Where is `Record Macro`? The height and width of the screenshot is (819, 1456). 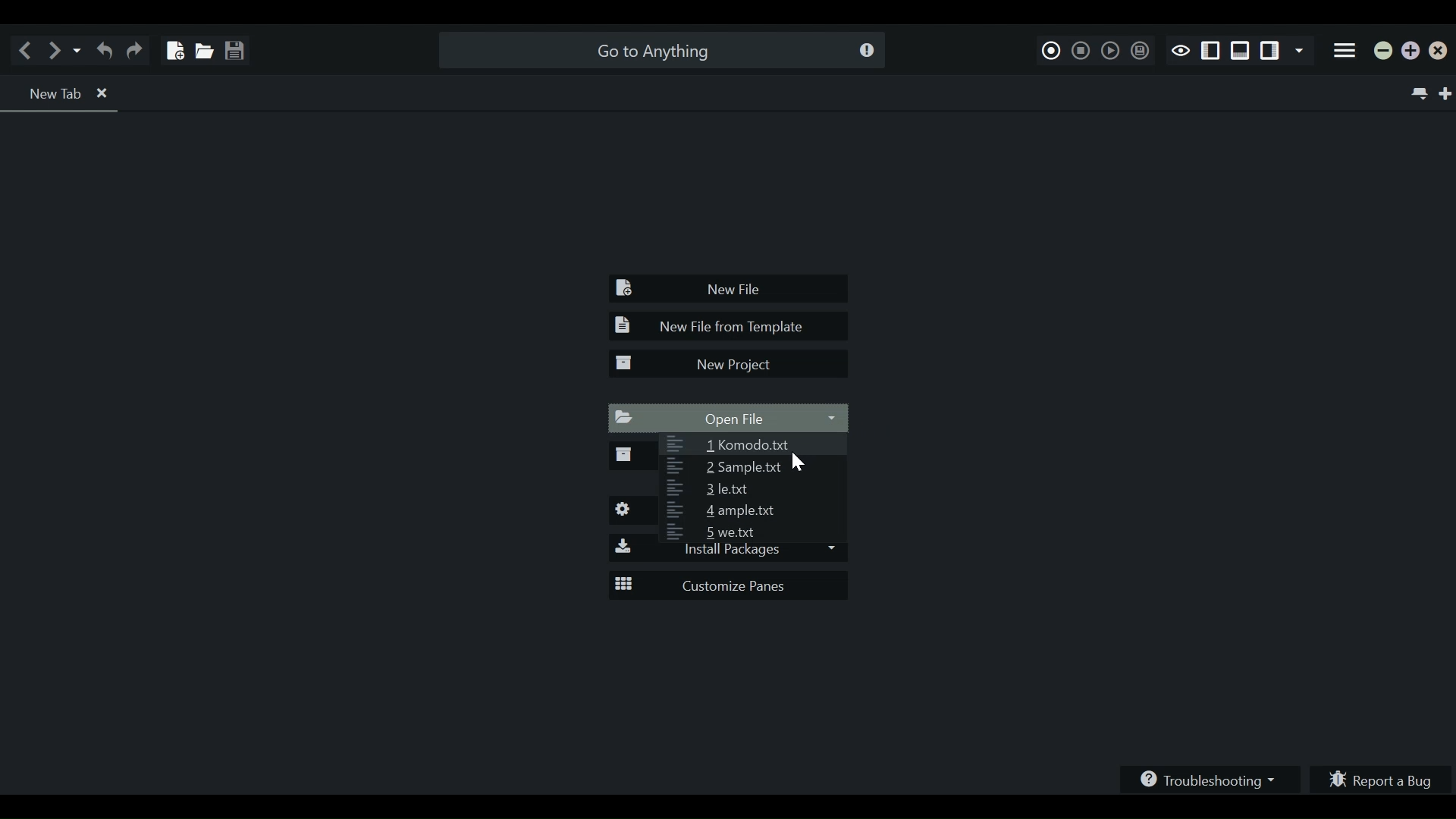 Record Macro is located at coordinates (1052, 49).